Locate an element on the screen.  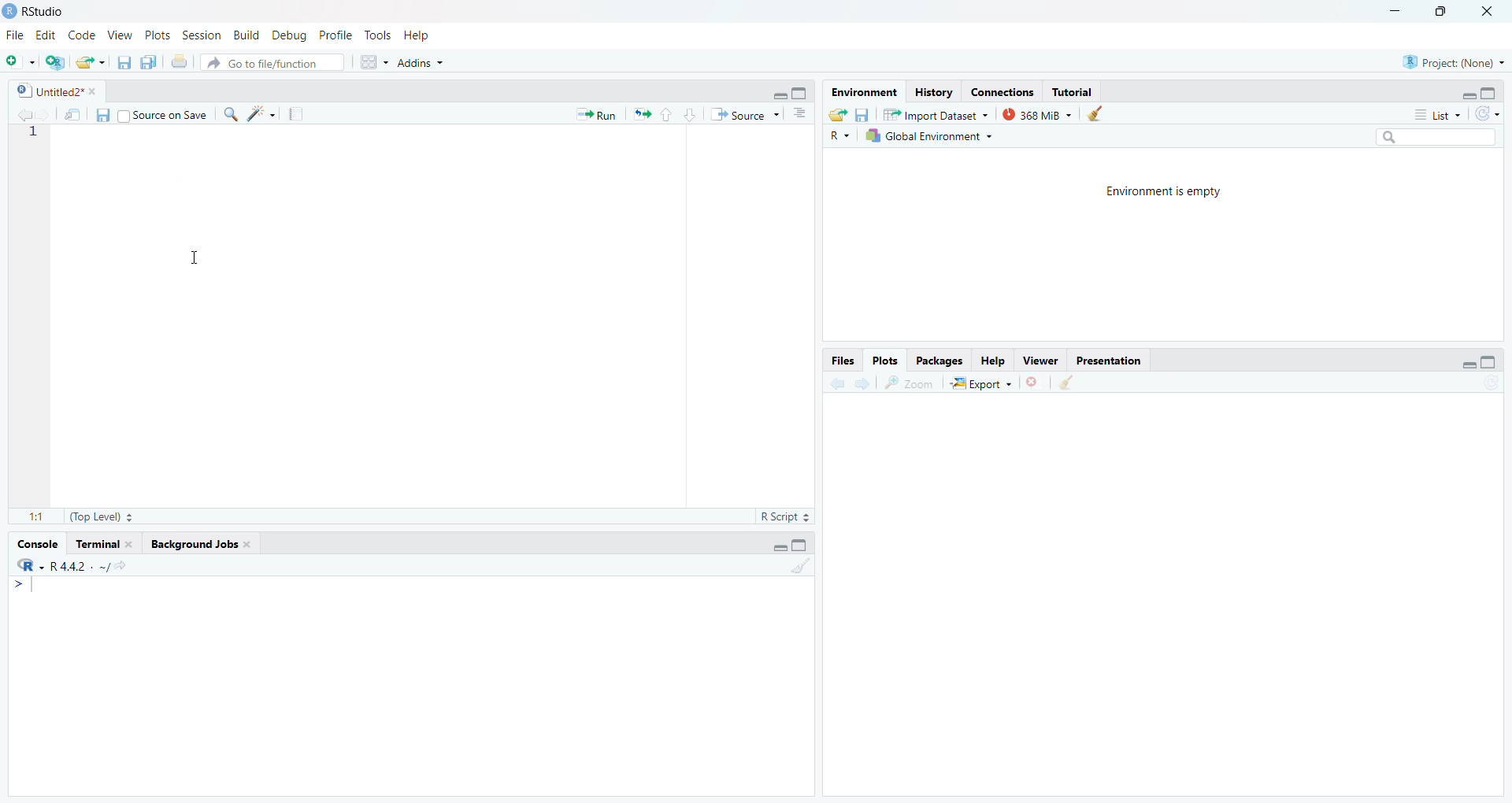
Source on Save is located at coordinates (169, 115).